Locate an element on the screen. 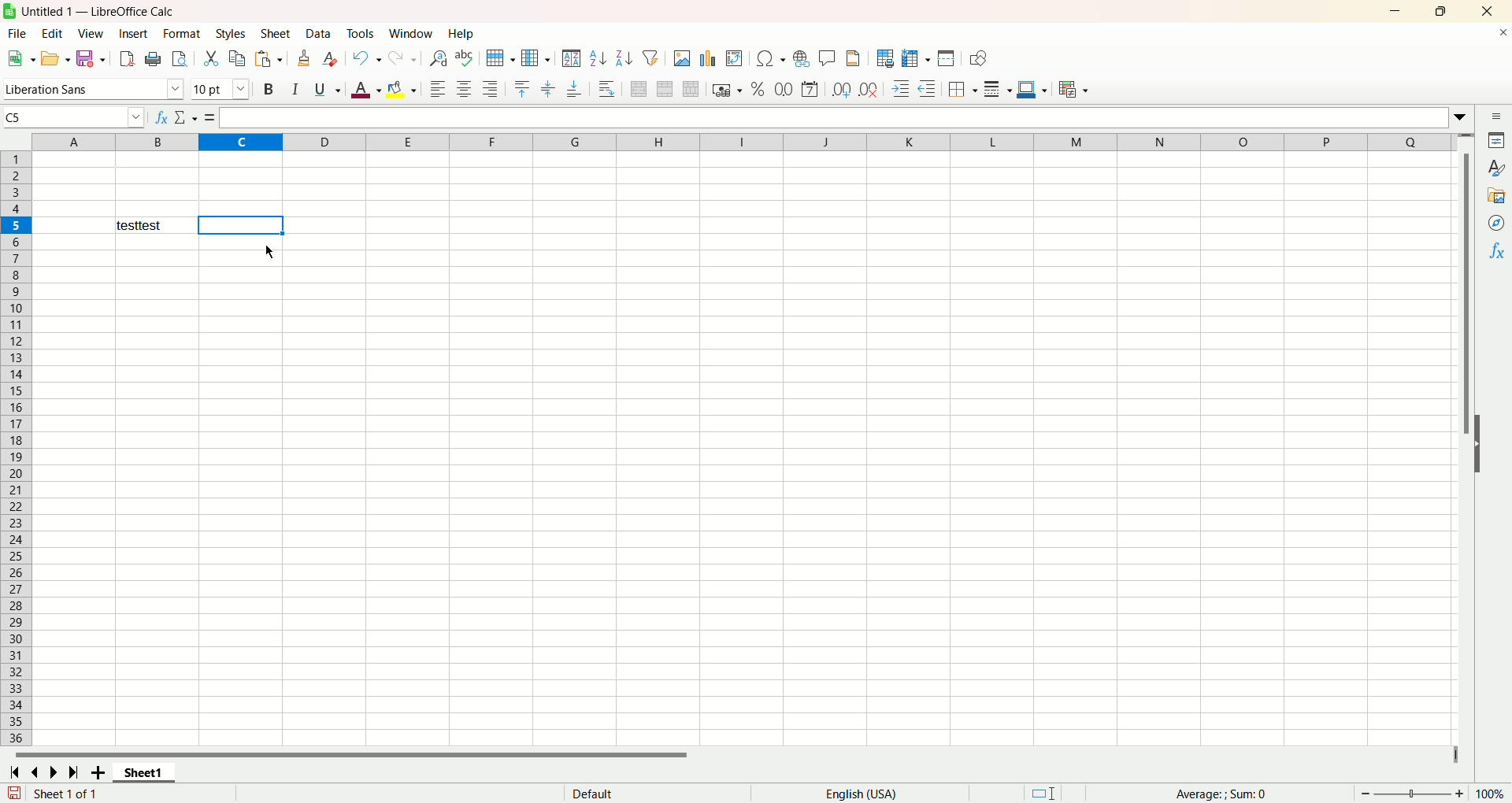  name box is located at coordinates (76, 115).